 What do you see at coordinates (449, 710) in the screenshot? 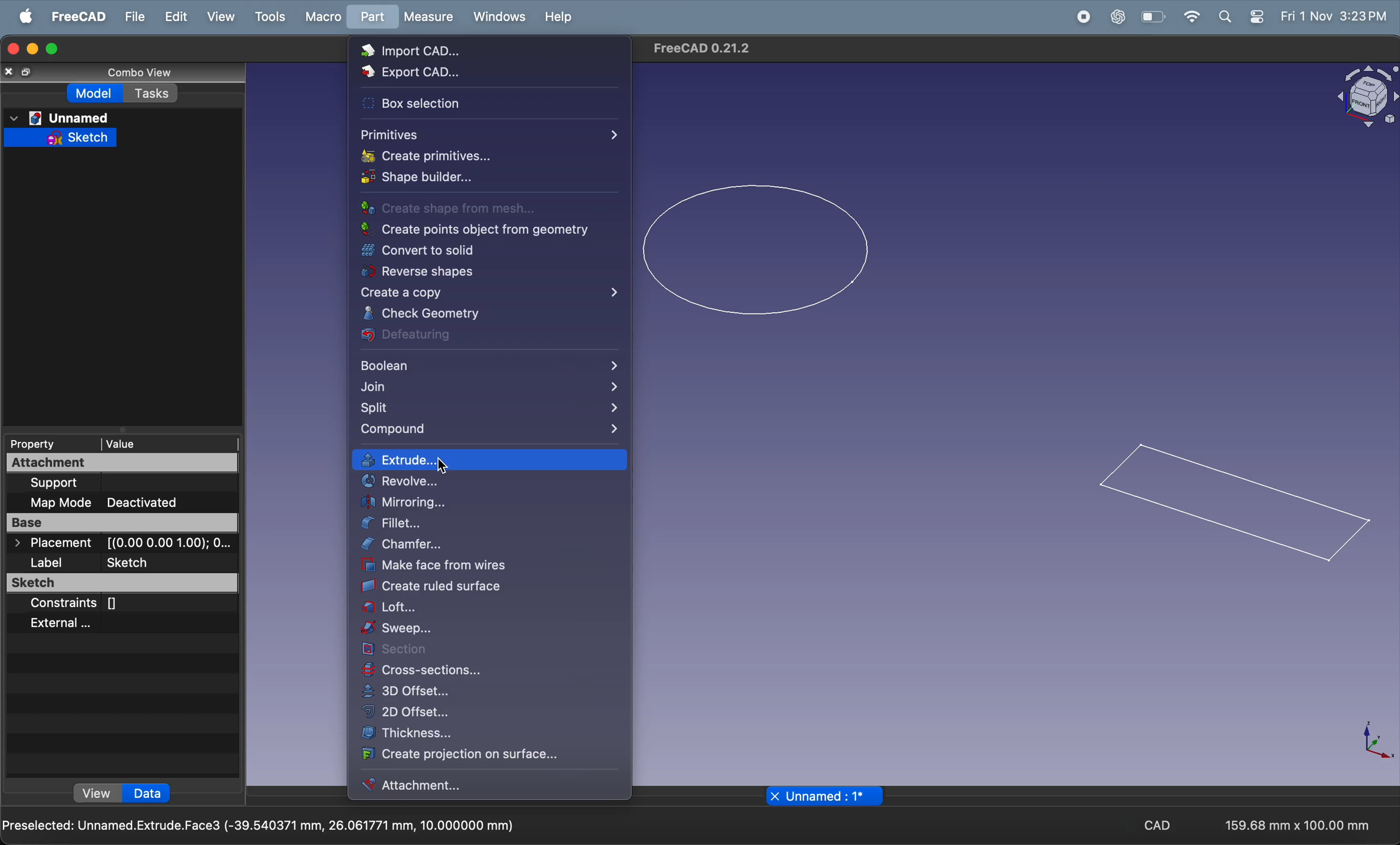
I see `2D offset...` at bounding box center [449, 710].